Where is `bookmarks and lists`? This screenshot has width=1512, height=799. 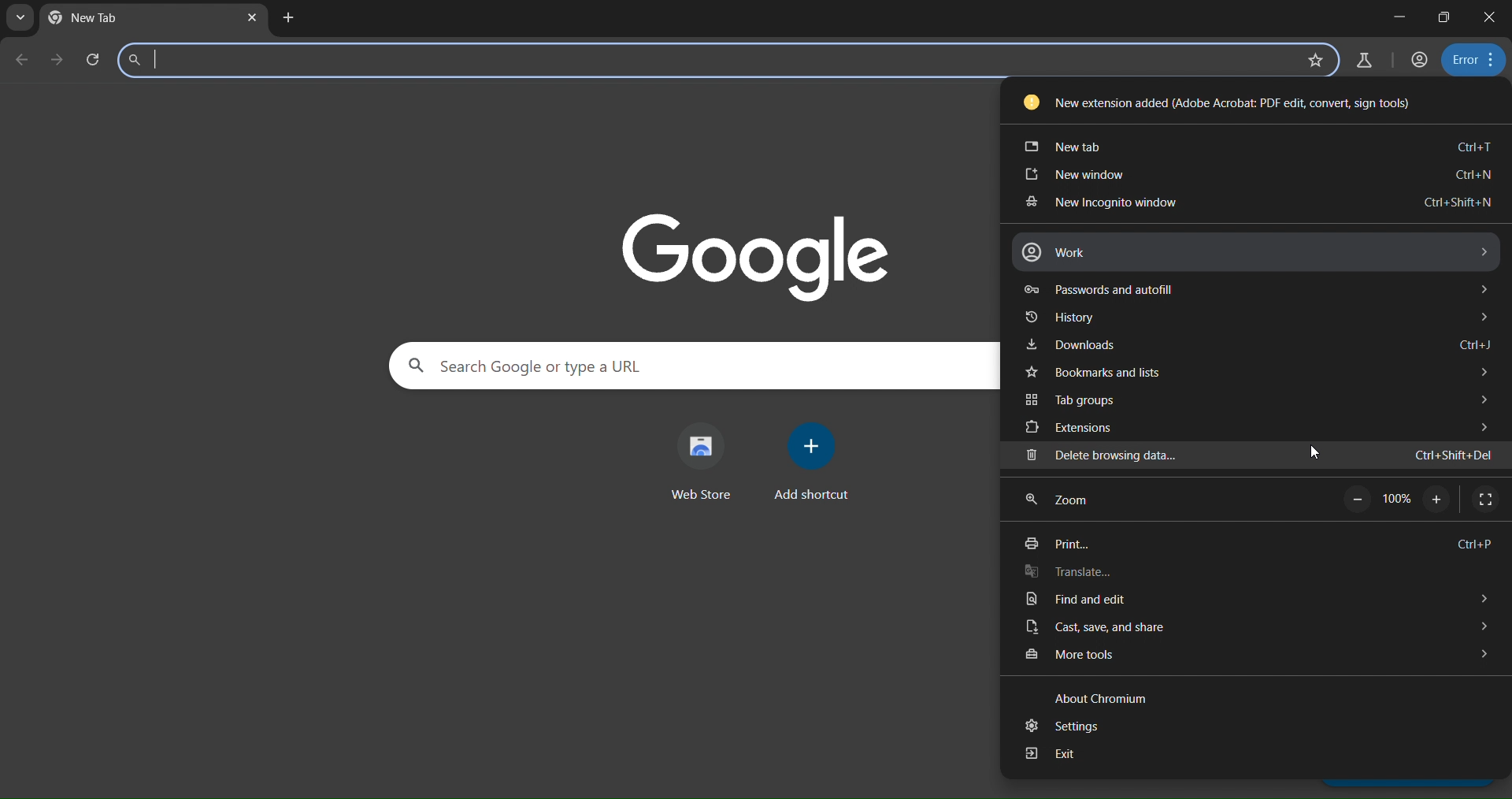 bookmarks and lists is located at coordinates (1251, 374).